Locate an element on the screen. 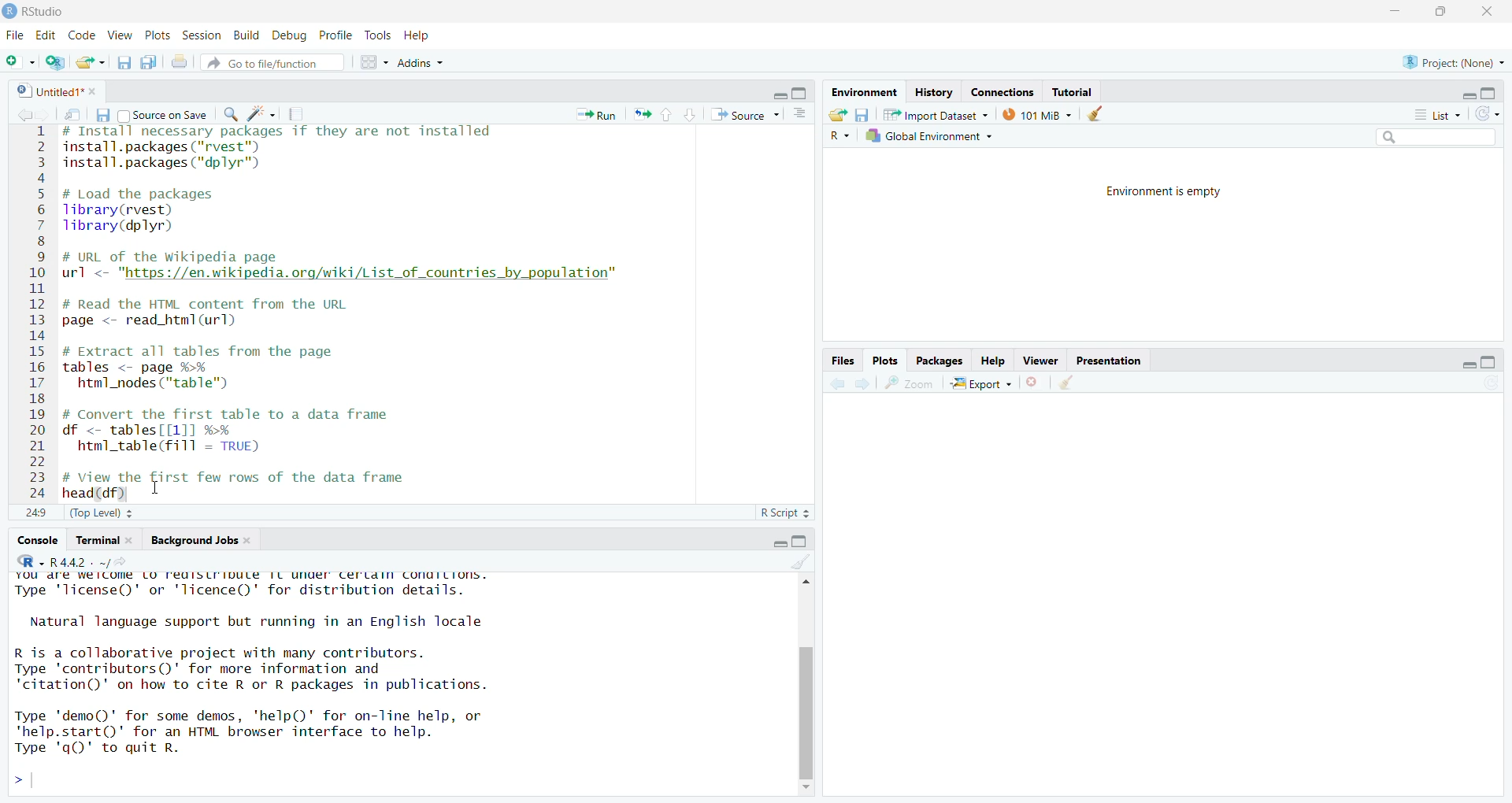  minimize is located at coordinates (1468, 365).